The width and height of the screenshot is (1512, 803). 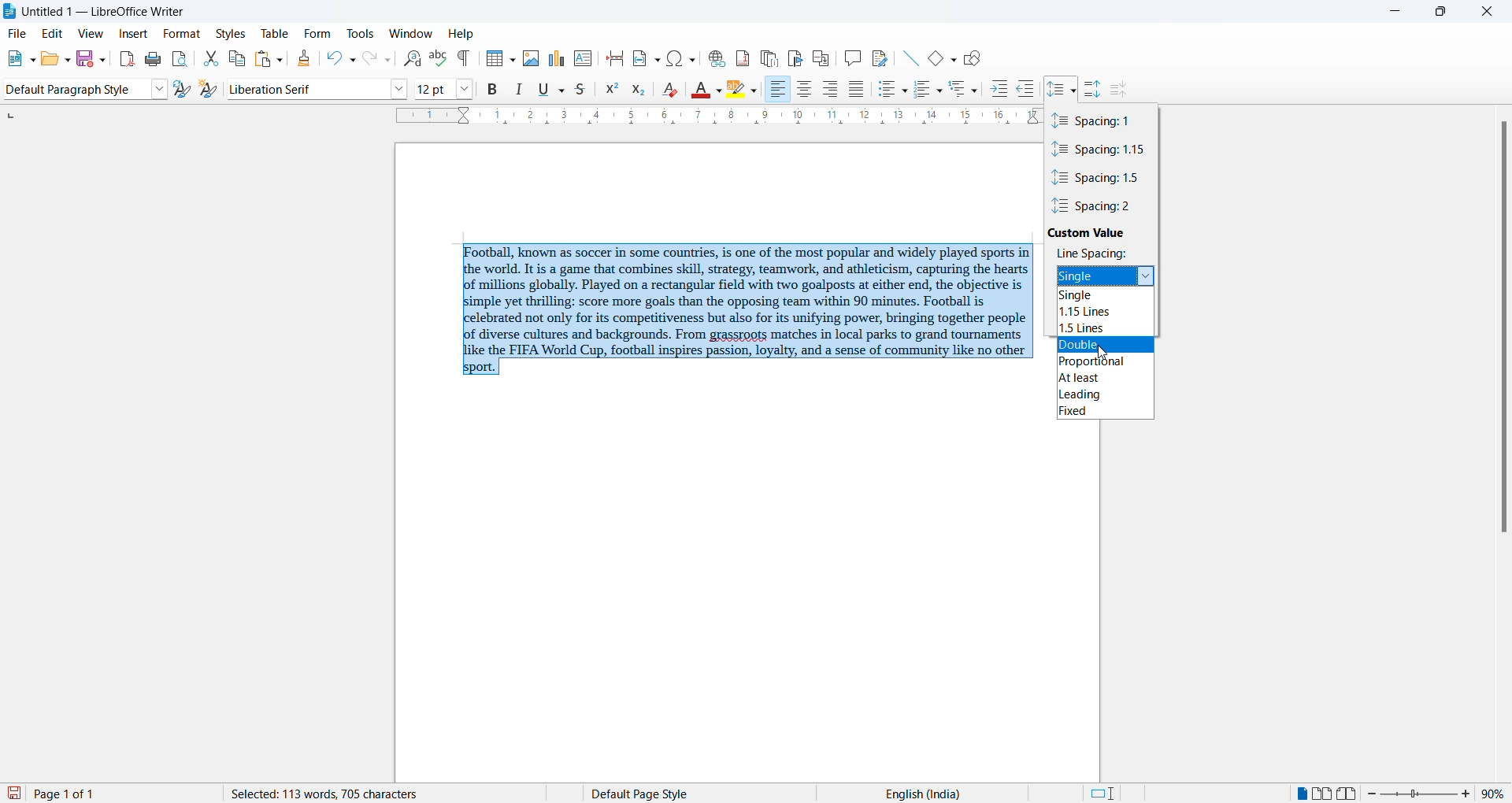 What do you see at coordinates (1095, 276) in the screenshot?
I see `selected spacing` at bounding box center [1095, 276].